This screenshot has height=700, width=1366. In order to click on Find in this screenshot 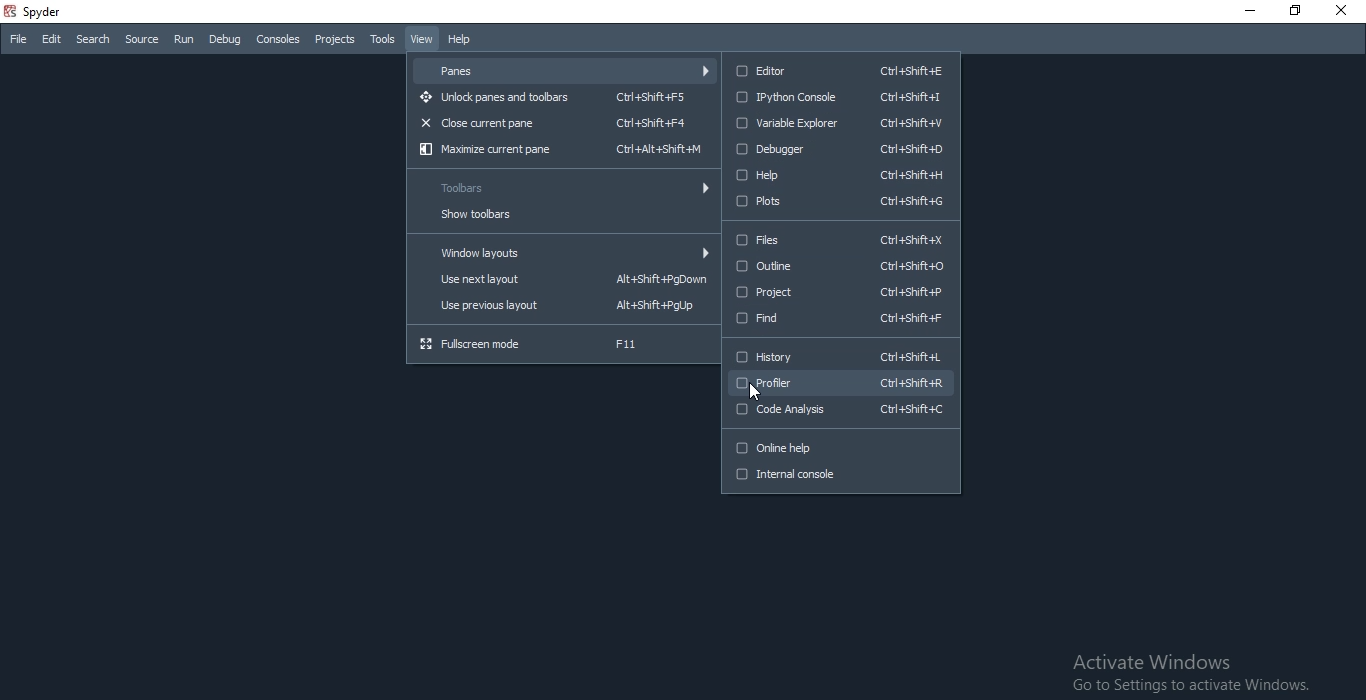, I will do `click(840, 320)`.